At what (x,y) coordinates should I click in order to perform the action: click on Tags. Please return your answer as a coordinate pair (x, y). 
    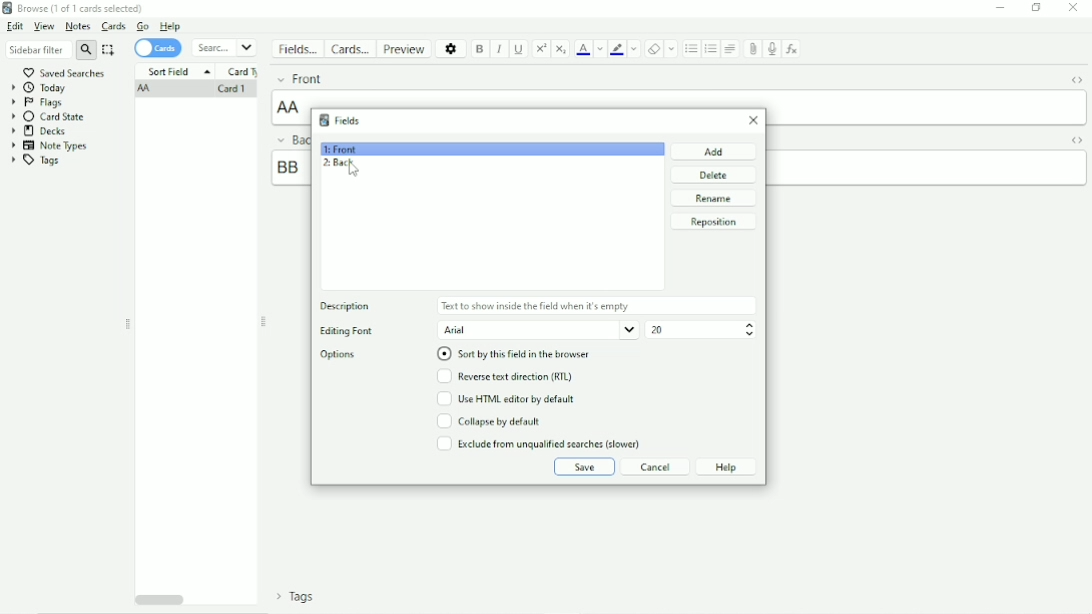
    Looking at the image, I should click on (296, 596).